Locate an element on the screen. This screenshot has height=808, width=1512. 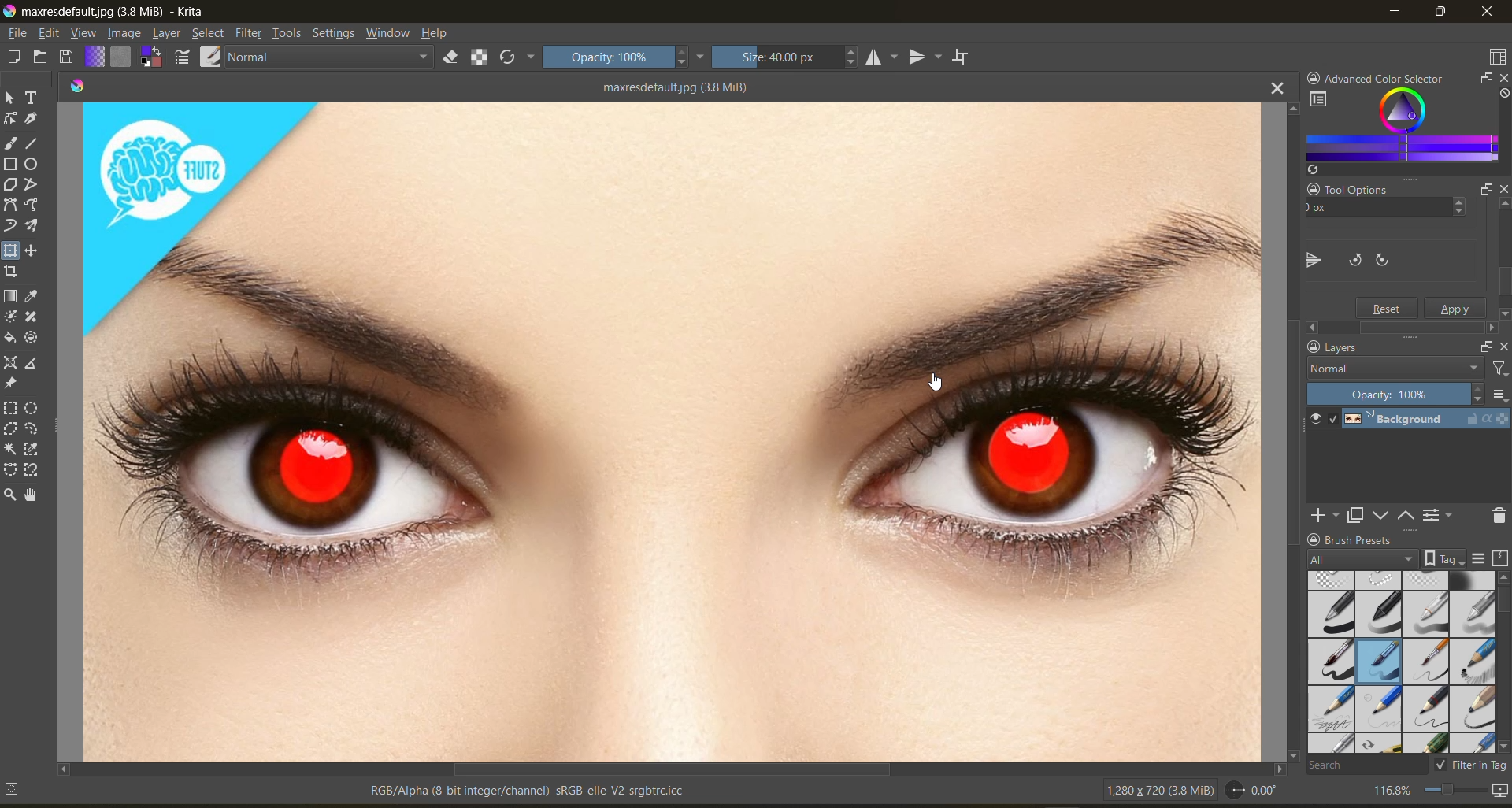
set eraser mode is located at coordinates (458, 58).